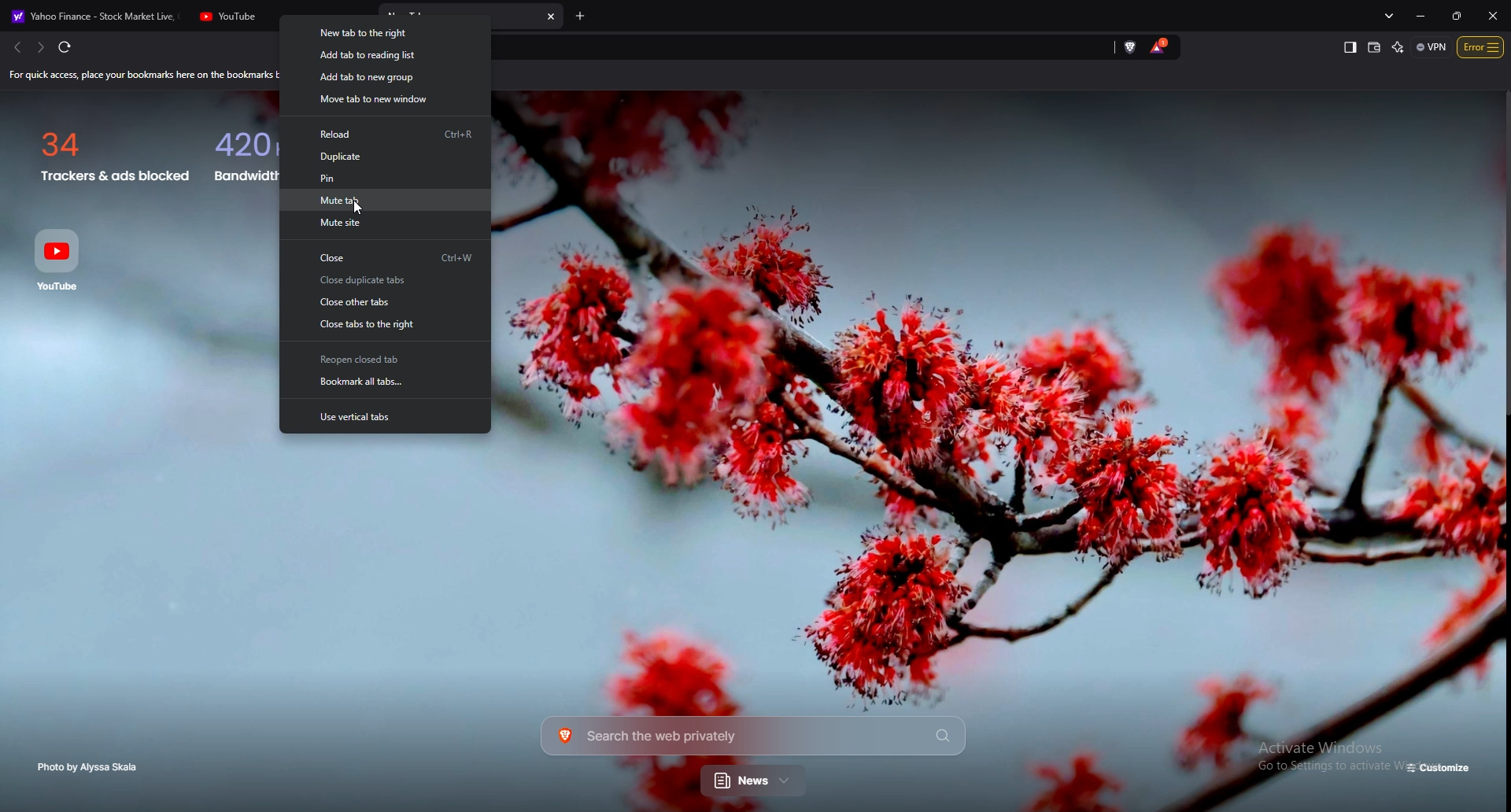 The height and width of the screenshot is (812, 1511). Describe the element at coordinates (386, 55) in the screenshot. I see `add tab to reading list` at that location.